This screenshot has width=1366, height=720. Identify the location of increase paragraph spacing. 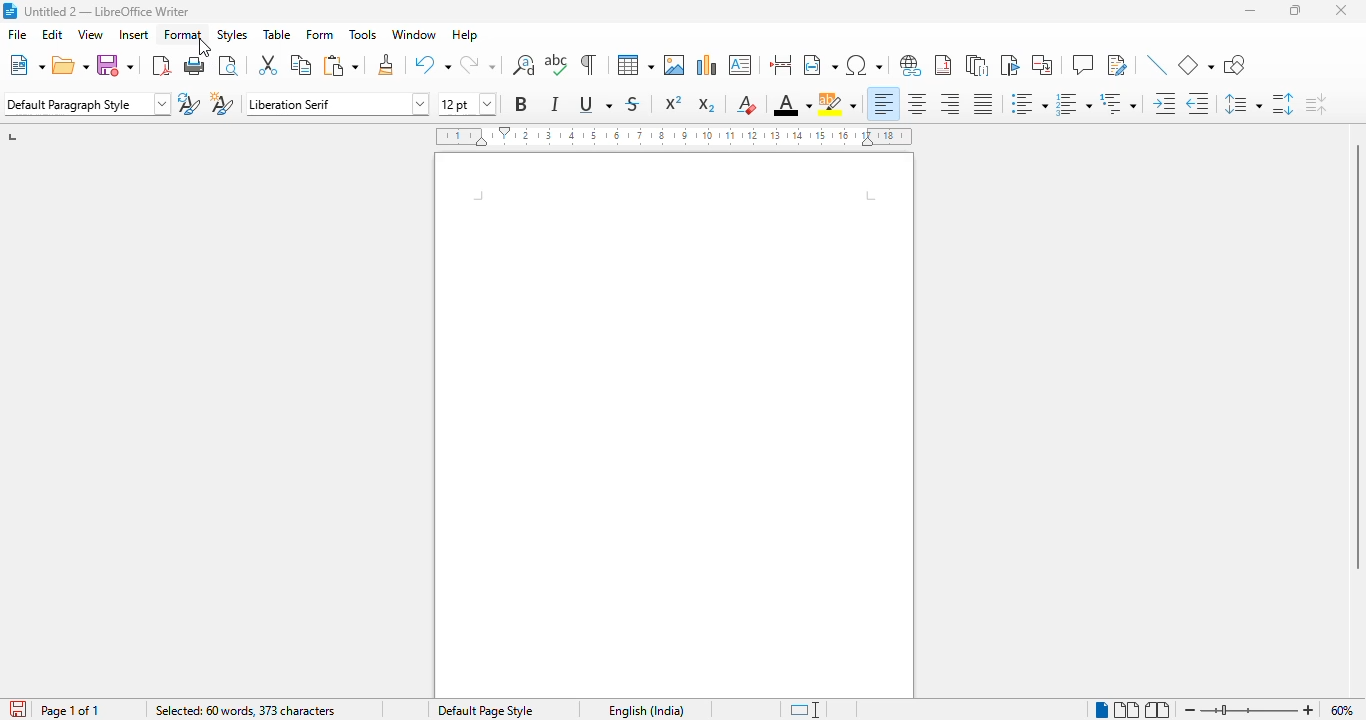
(1282, 104).